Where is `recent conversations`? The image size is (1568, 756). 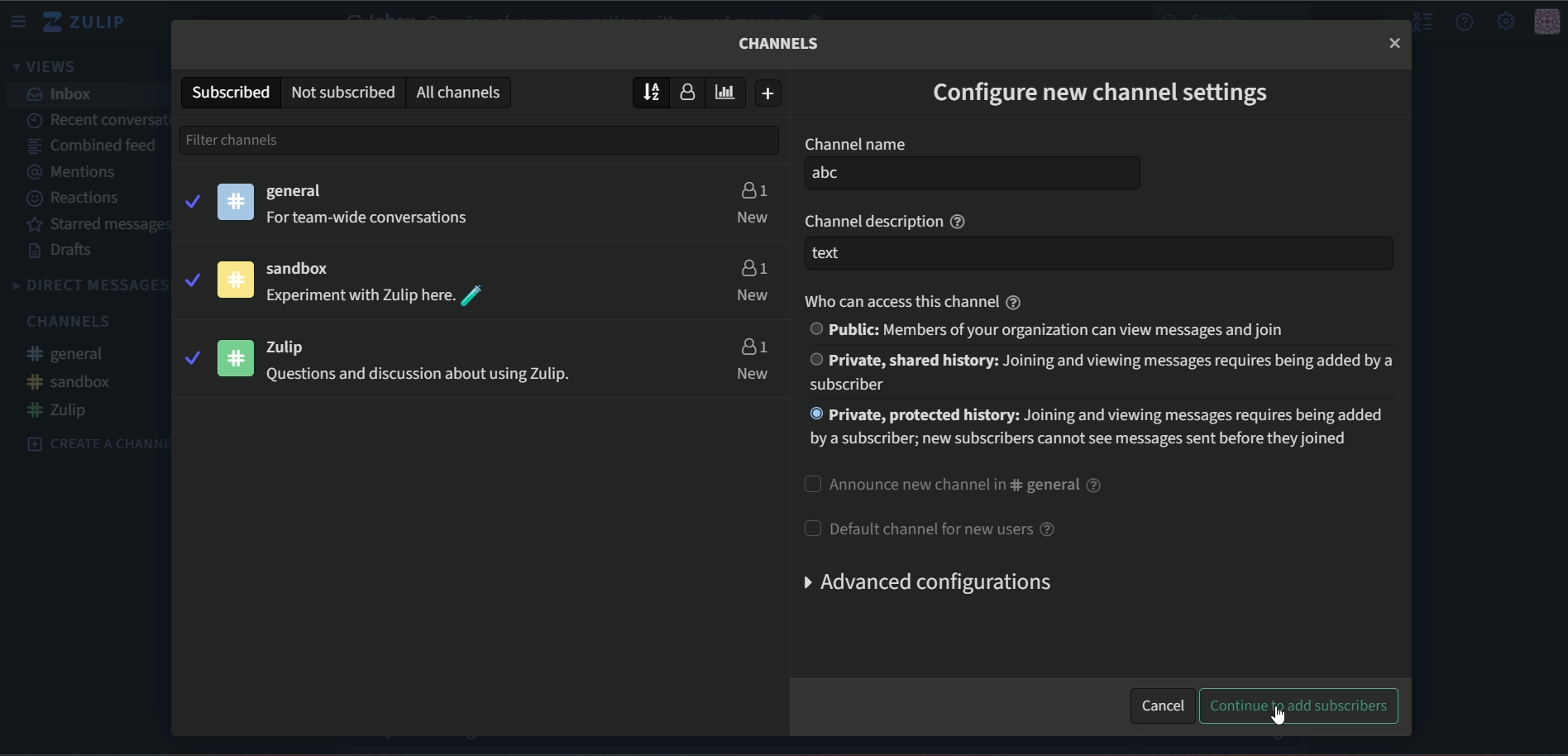 recent conversations is located at coordinates (98, 117).